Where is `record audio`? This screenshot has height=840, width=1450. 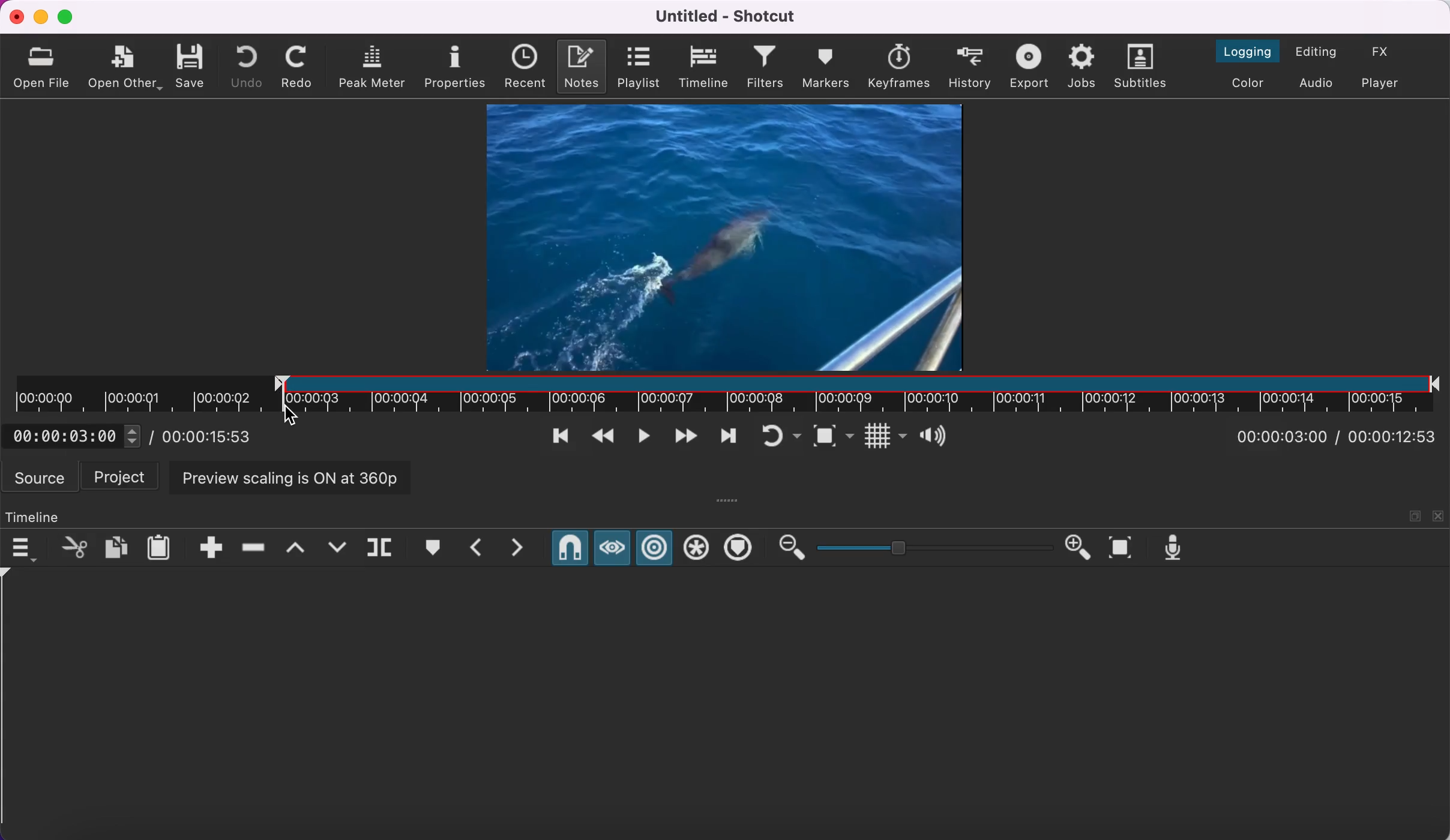
record audio is located at coordinates (1178, 549).